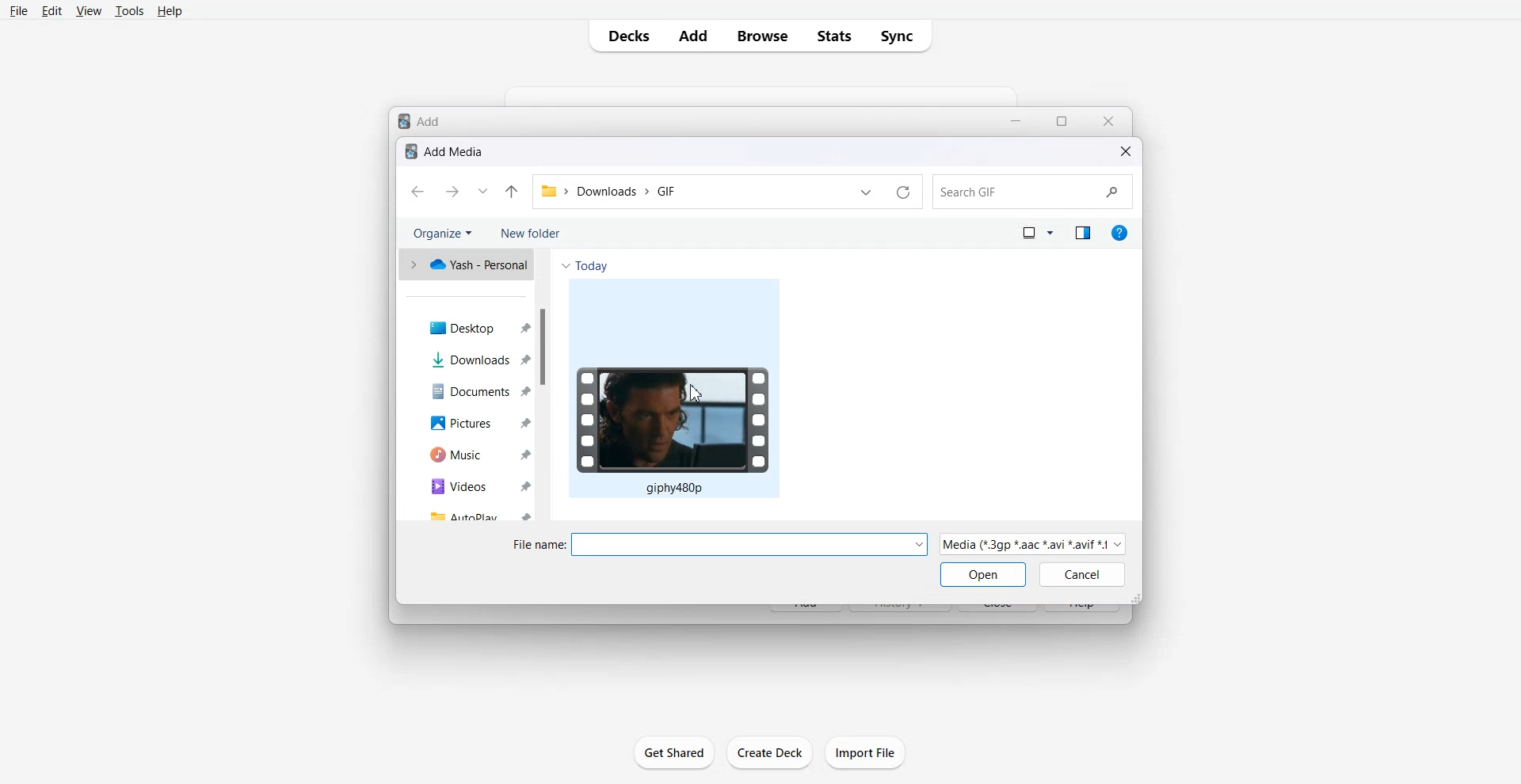 This screenshot has width=1521, height=784. Describe the element at coordinates (464, 265) in the screenshot. I see `One drive` at that location.